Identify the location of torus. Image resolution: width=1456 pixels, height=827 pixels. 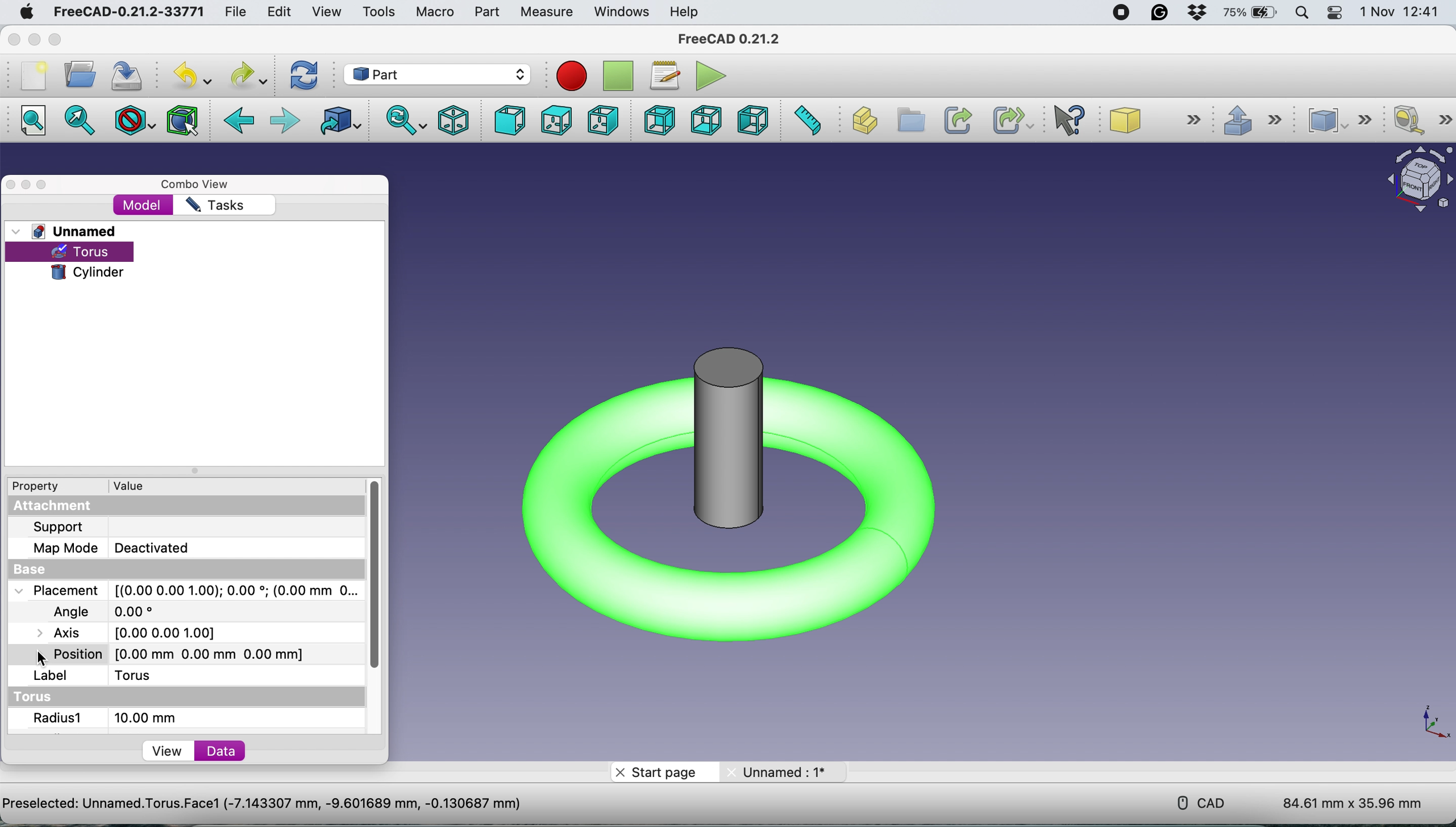
(149, 675).